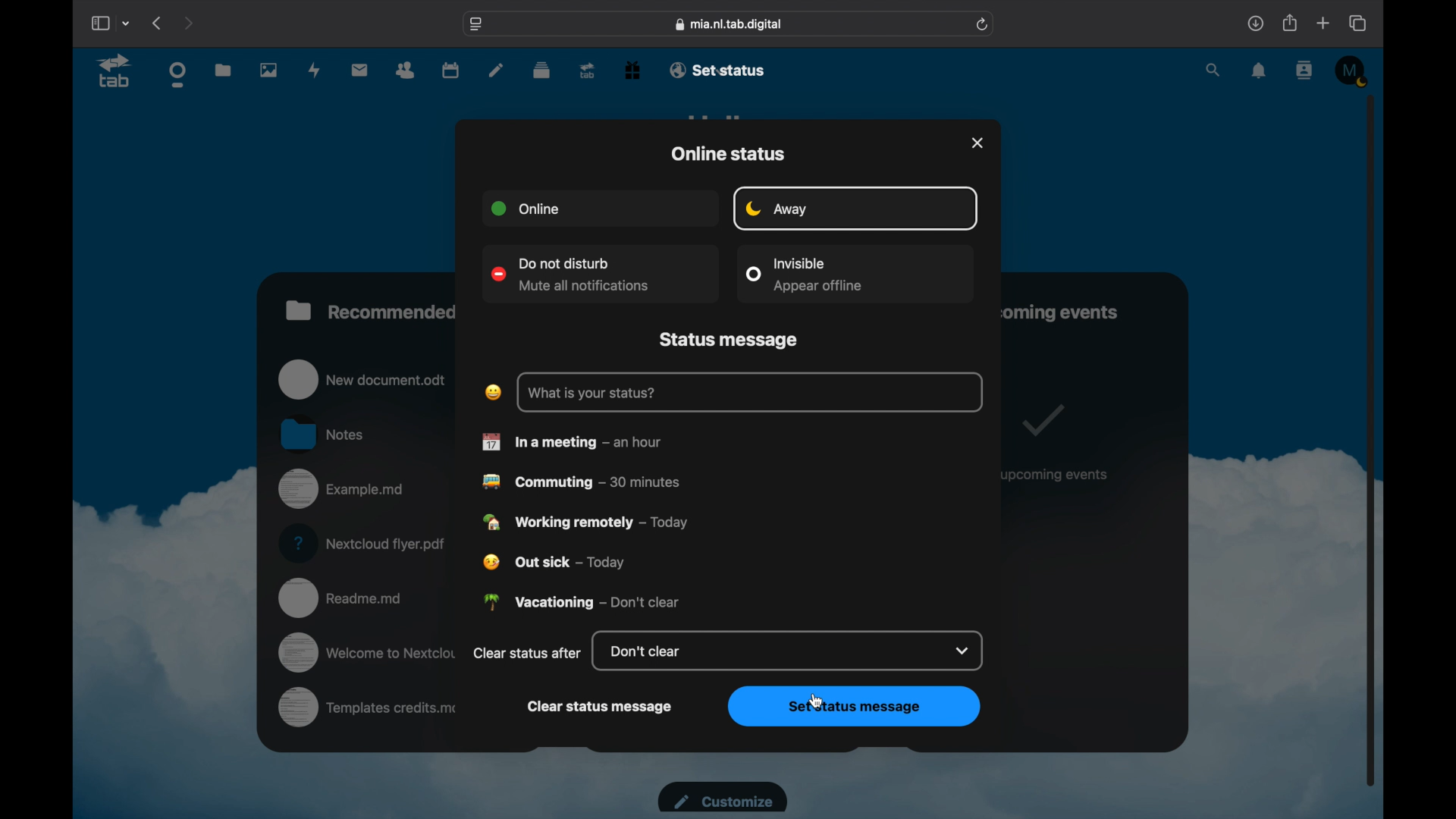  I want to click on nextcloud, so click(366, 543).